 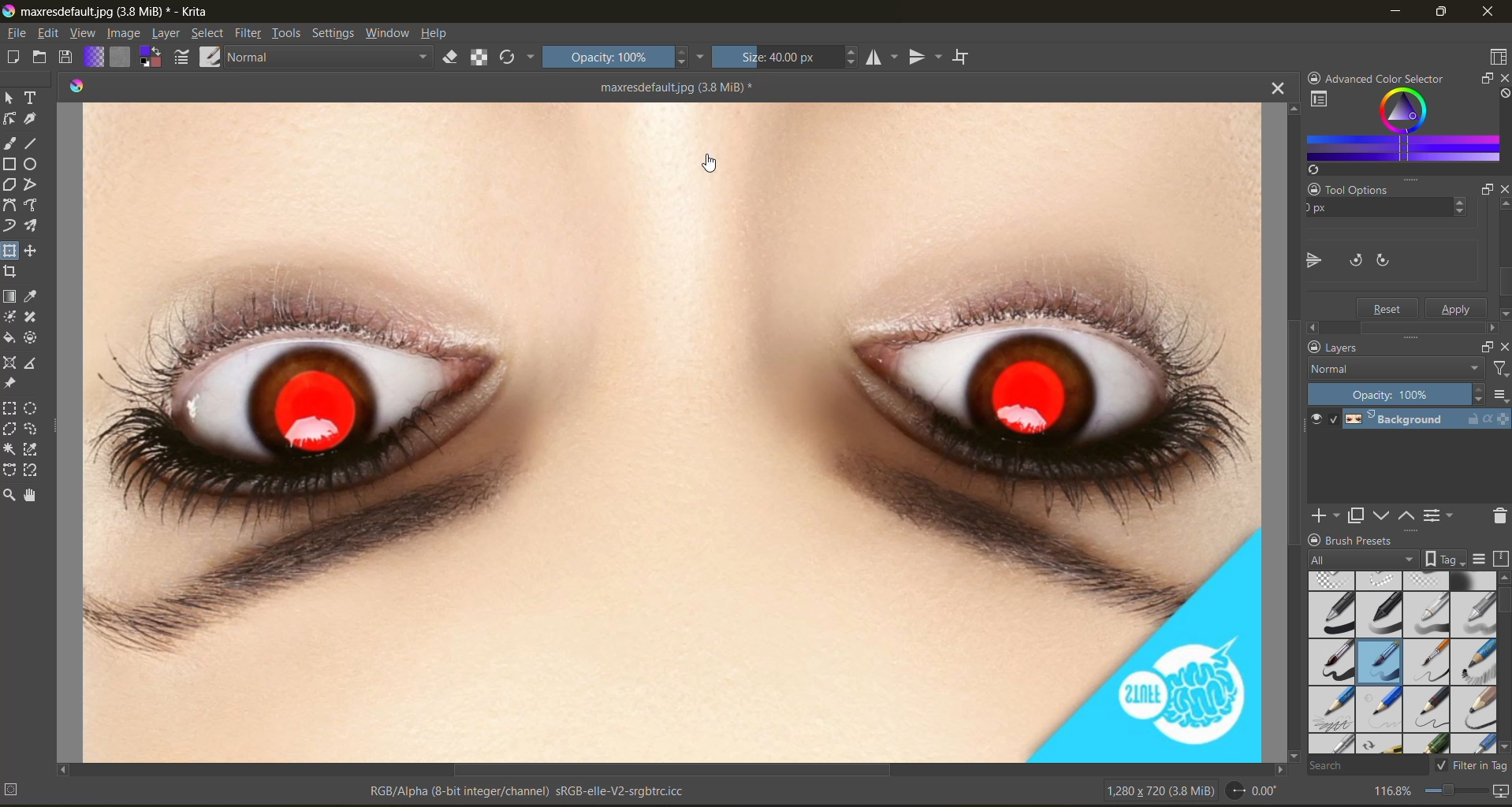 What do you see at coordinates (32, 363) in the screenshot?
I see `tool` at bounding box center [32, 363].